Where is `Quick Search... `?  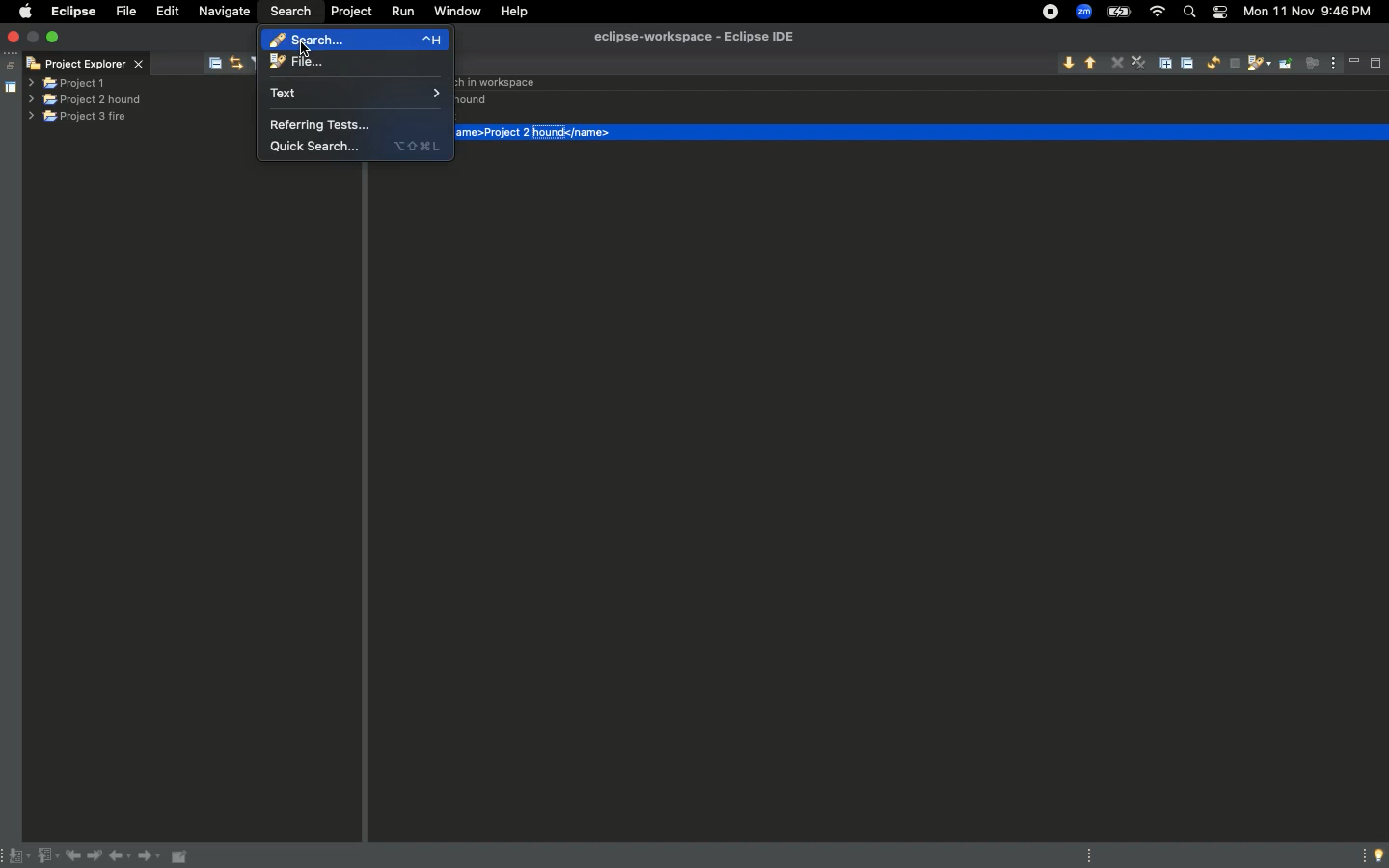
Quick Search...  is located at coordinates (354, 144).